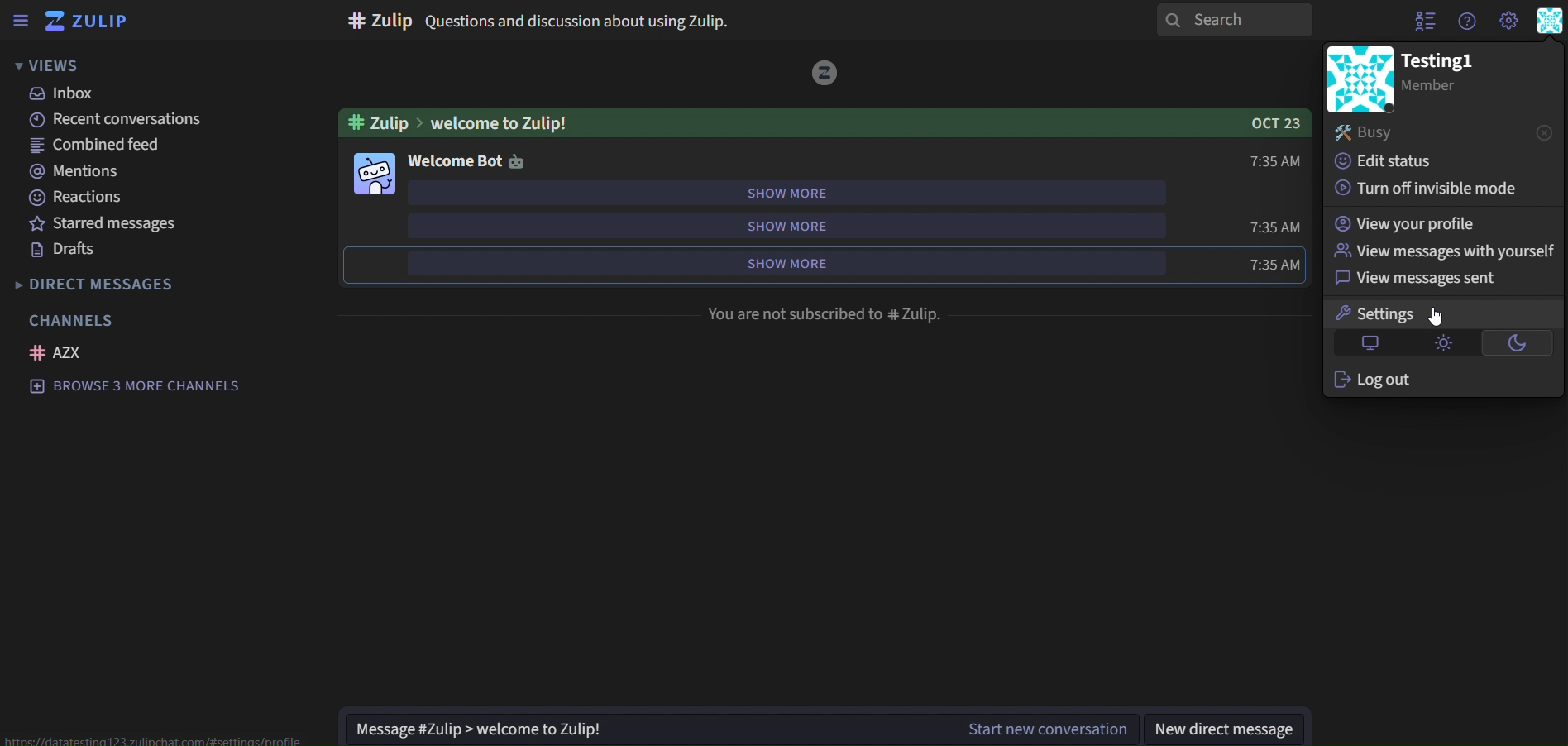 This screenshot has width=1568, height=746. What do you see at coordinates (1411, 222) in the screenshot?
I see `view your profile` at bounding box center [1411, 222].